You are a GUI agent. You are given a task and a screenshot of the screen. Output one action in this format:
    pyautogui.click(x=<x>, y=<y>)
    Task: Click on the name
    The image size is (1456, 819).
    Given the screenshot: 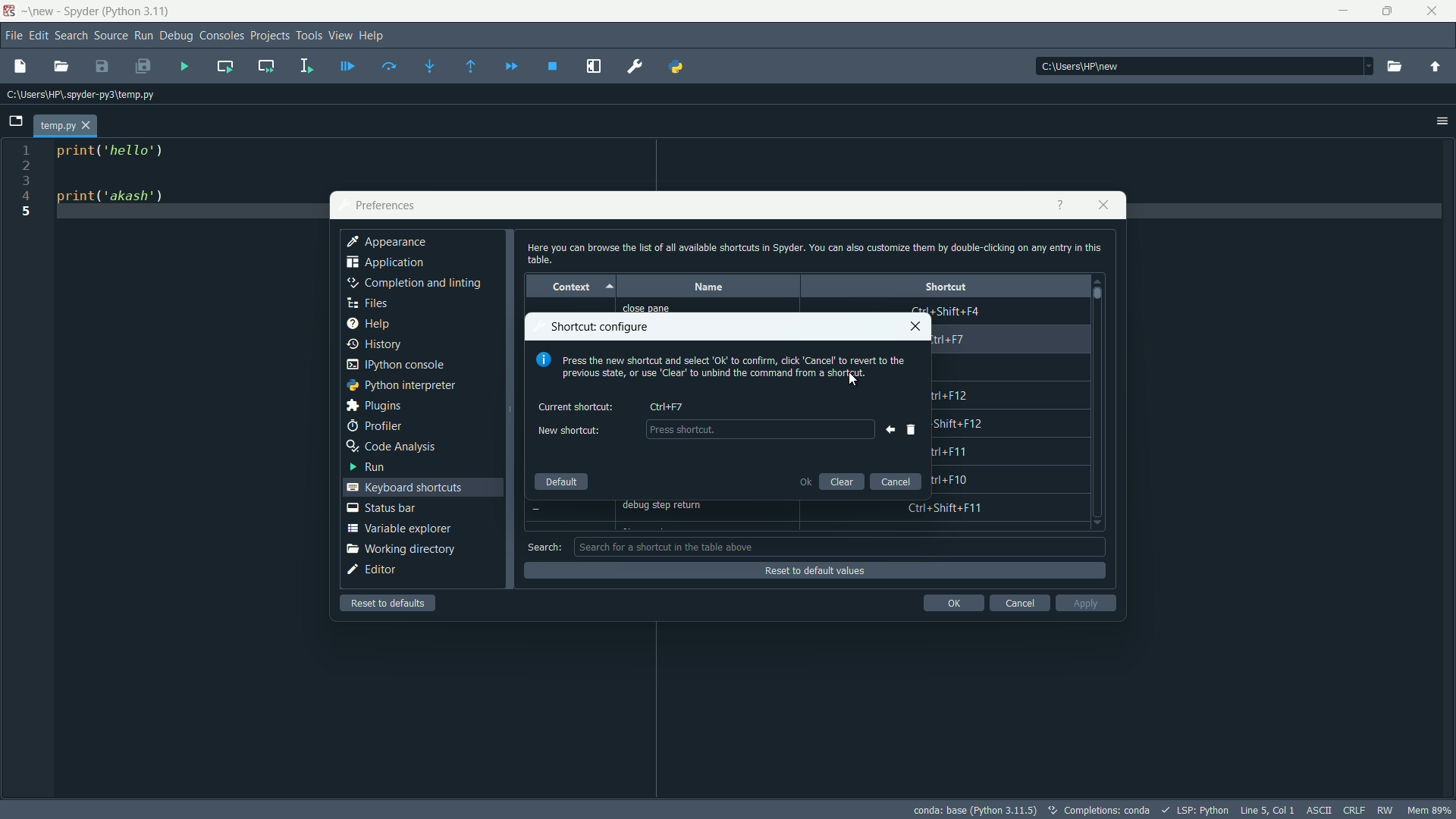 What is the action you would take?
    pyautogui.click(x=707, y=287)
    